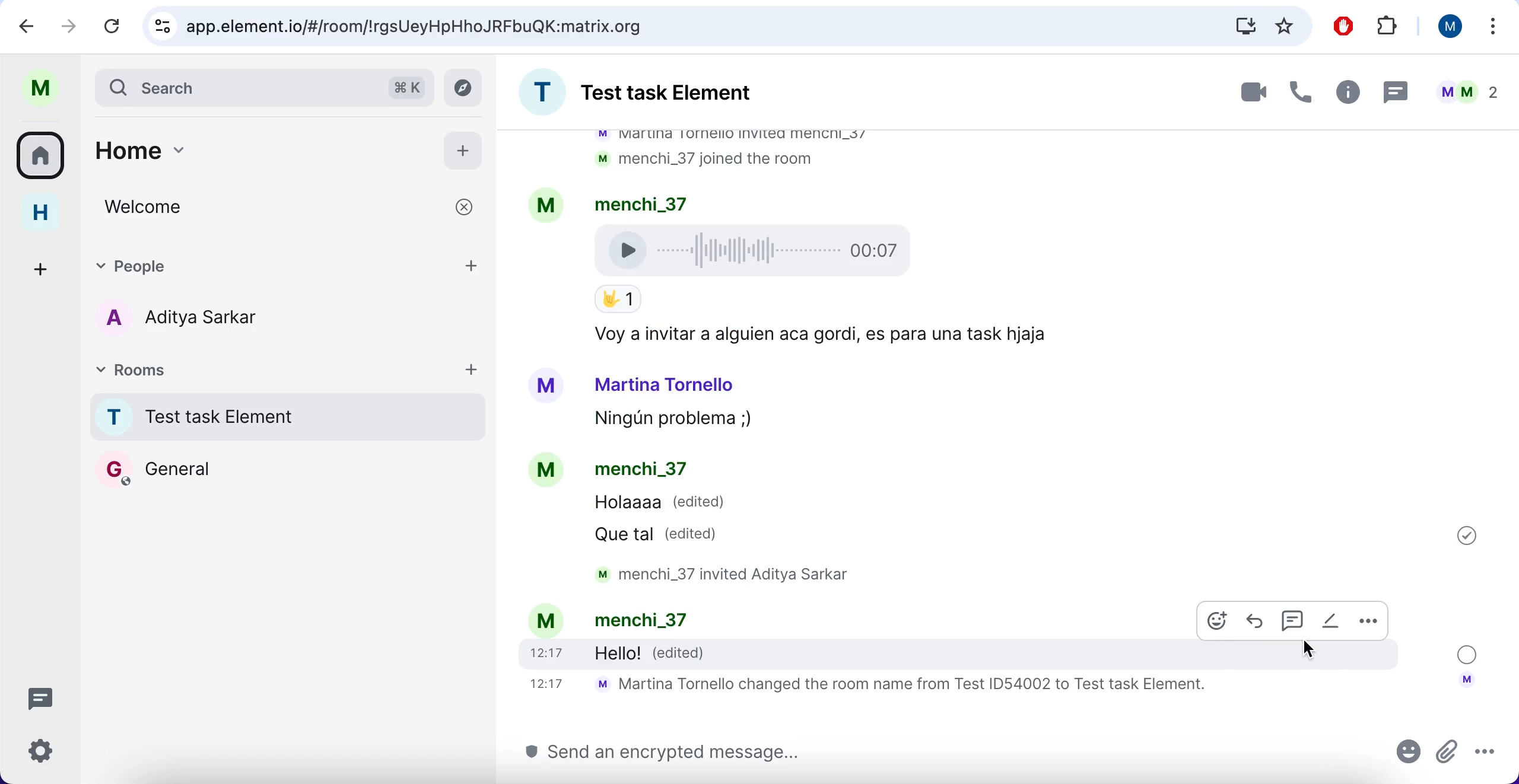 The image size is (1519, 784). I want to click on create a space, so click(34, 264).